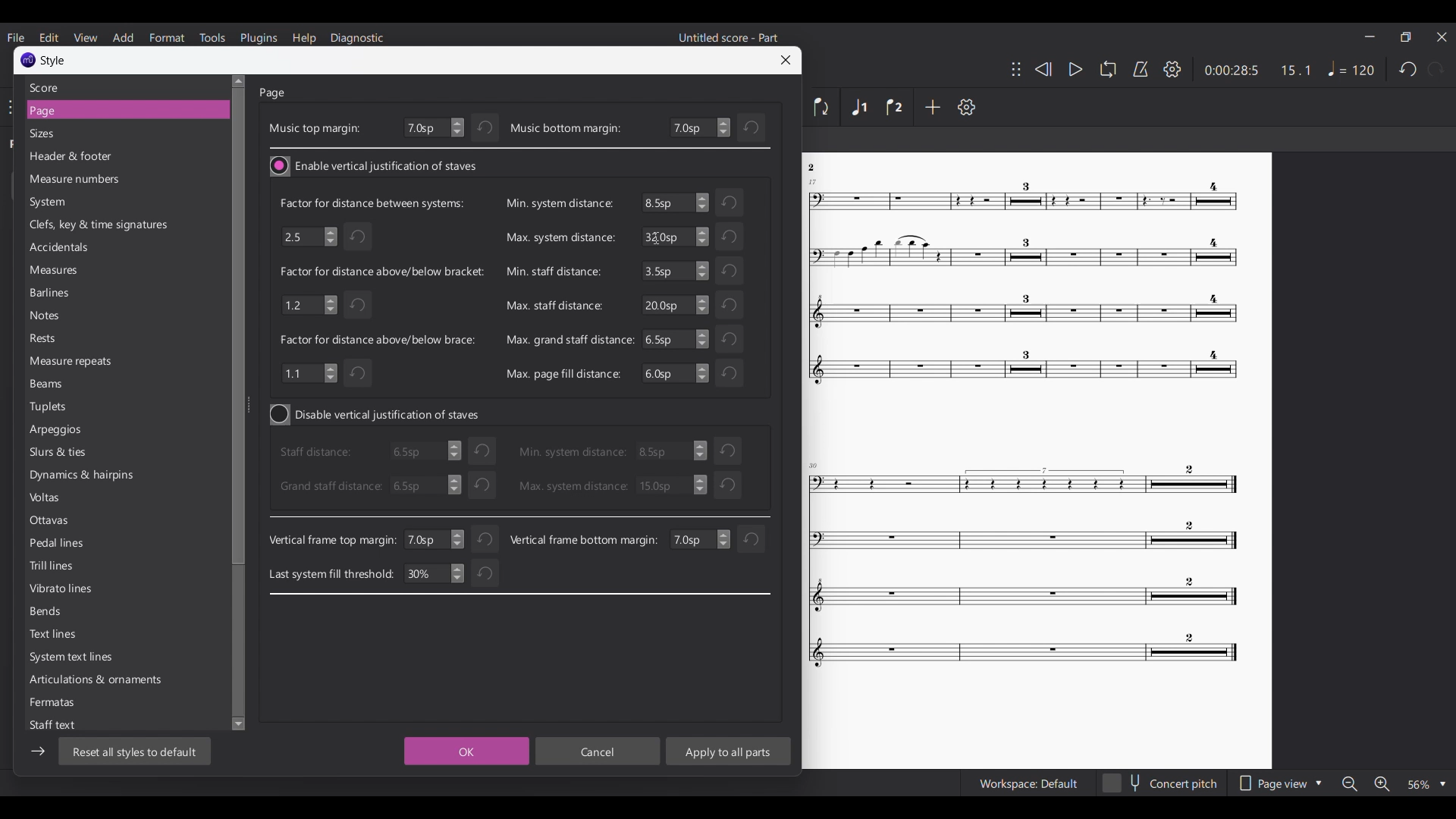 This screenshot has width=1456, height=819. I want to click on Voice 1, so click(858, 107).